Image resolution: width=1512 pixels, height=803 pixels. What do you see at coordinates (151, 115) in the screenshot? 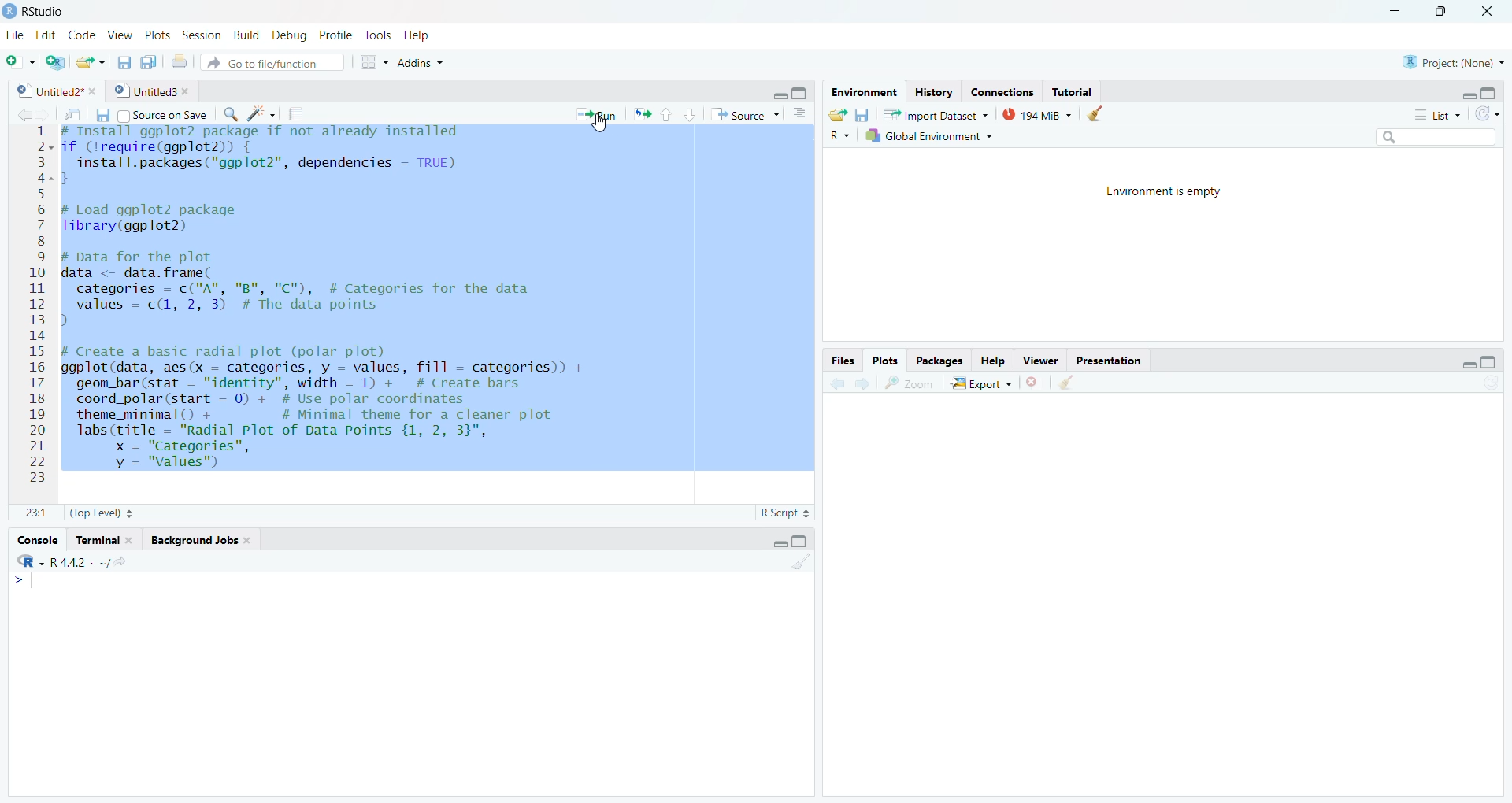
I see `Source on Save` at bounding box center [151, 115].